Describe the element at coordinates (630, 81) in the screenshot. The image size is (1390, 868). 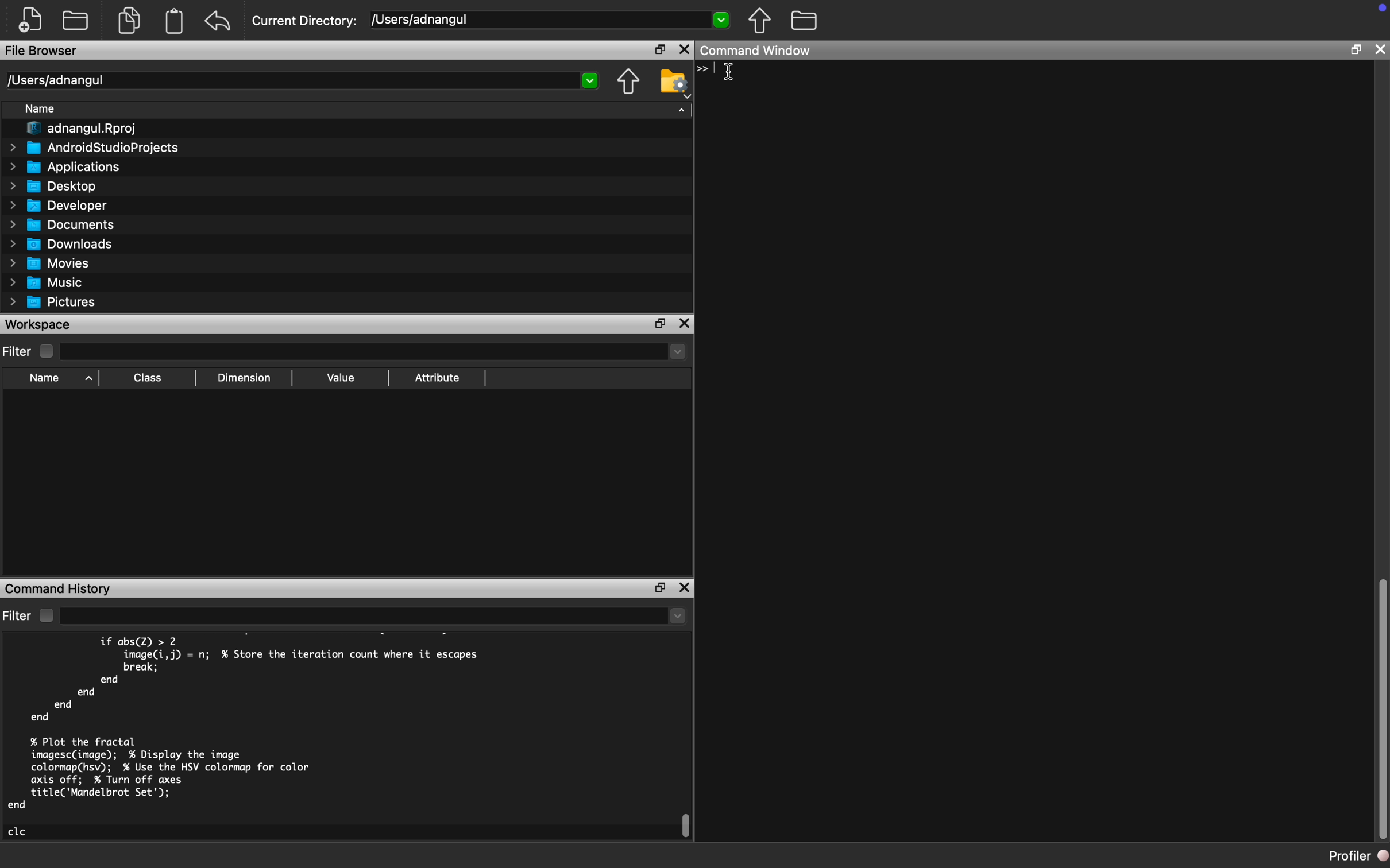
I see `Parent Directory` at that location.